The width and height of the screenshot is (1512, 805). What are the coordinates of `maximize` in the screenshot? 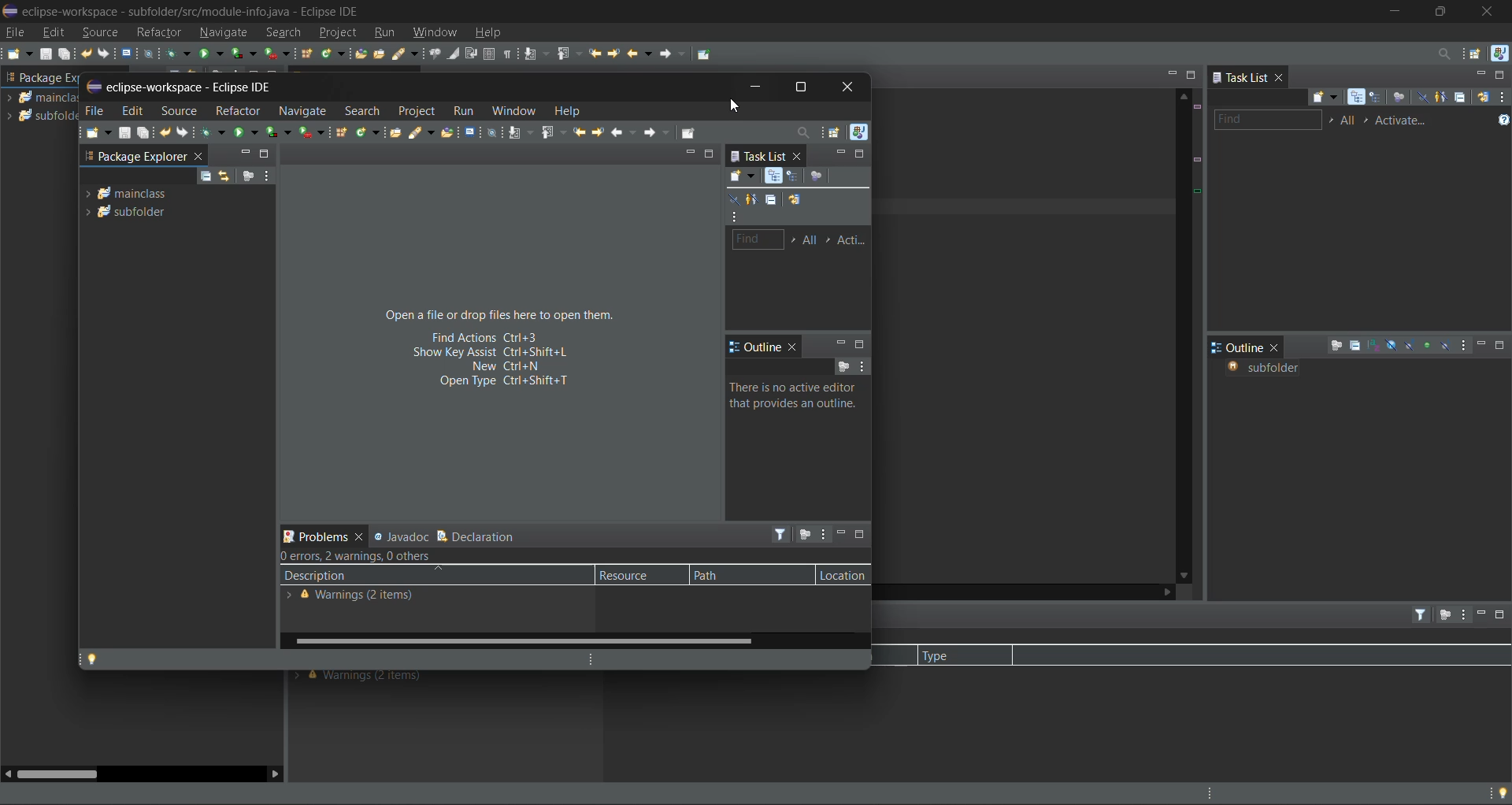 It's located at (713, 152).